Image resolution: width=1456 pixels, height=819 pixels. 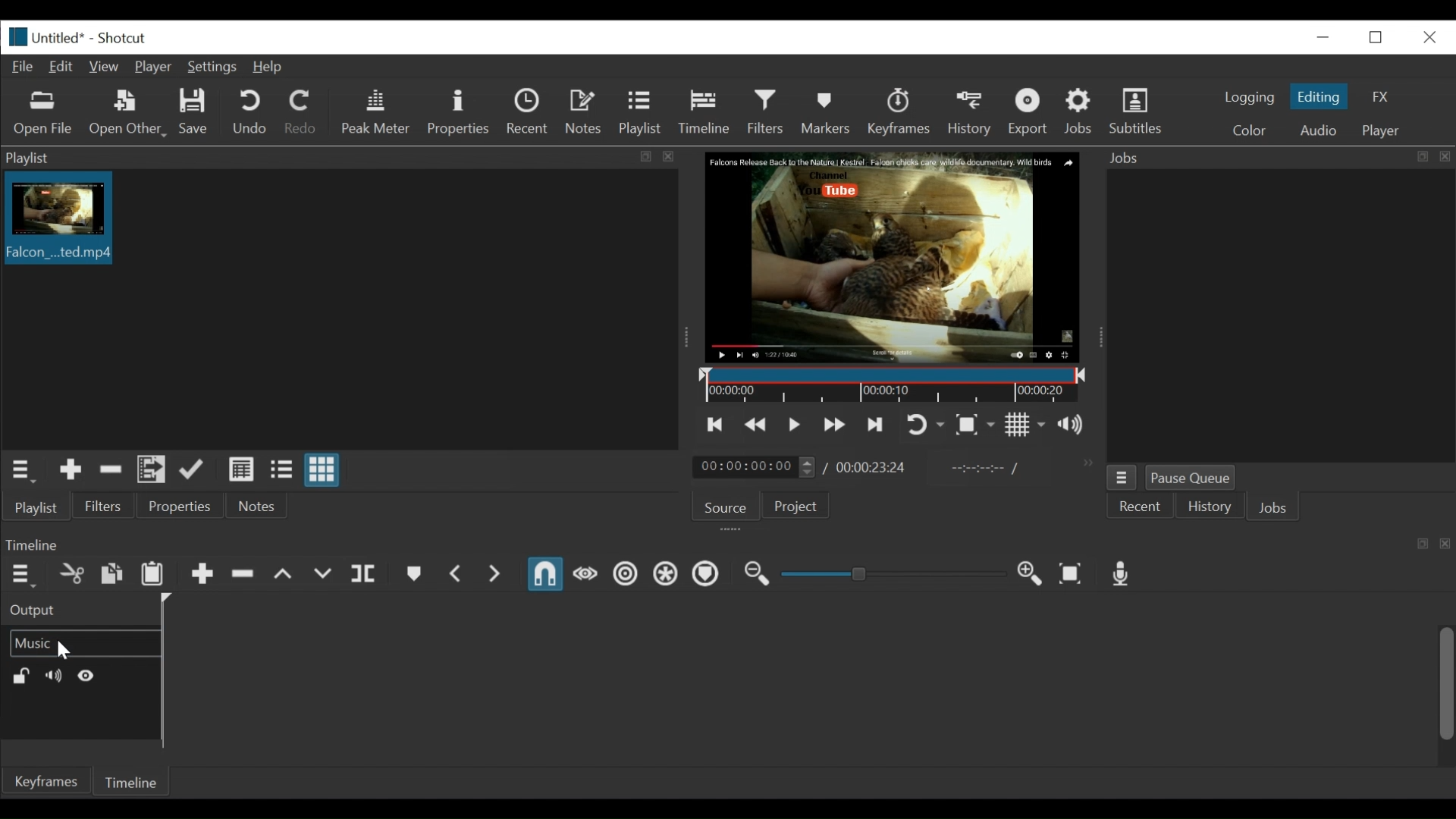 What do you see at coordinates (202, 576) in the screenshot?
I see `Append` at bounding box center [202, 576].